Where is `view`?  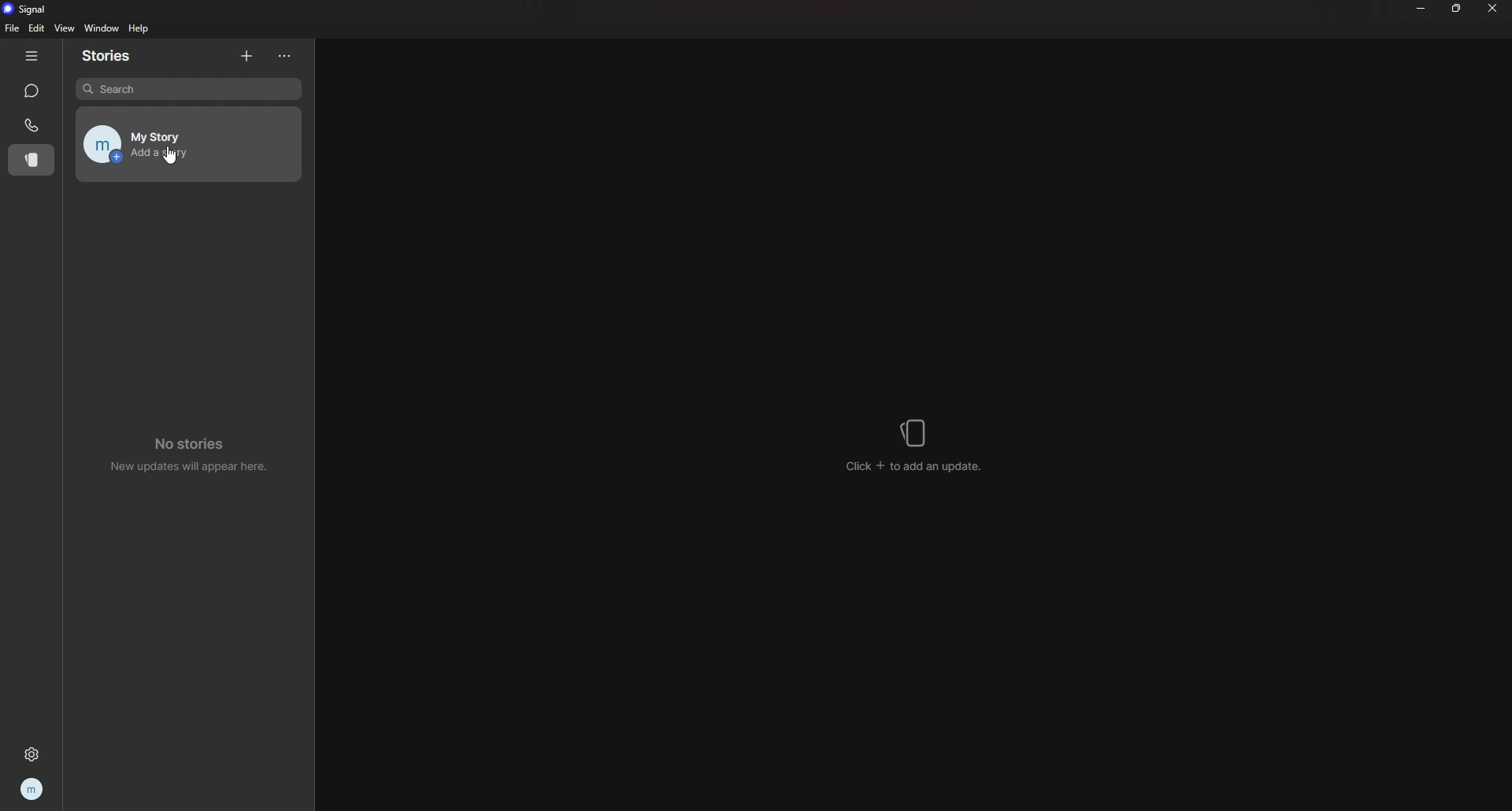 view is located at coordinates (64, 28).